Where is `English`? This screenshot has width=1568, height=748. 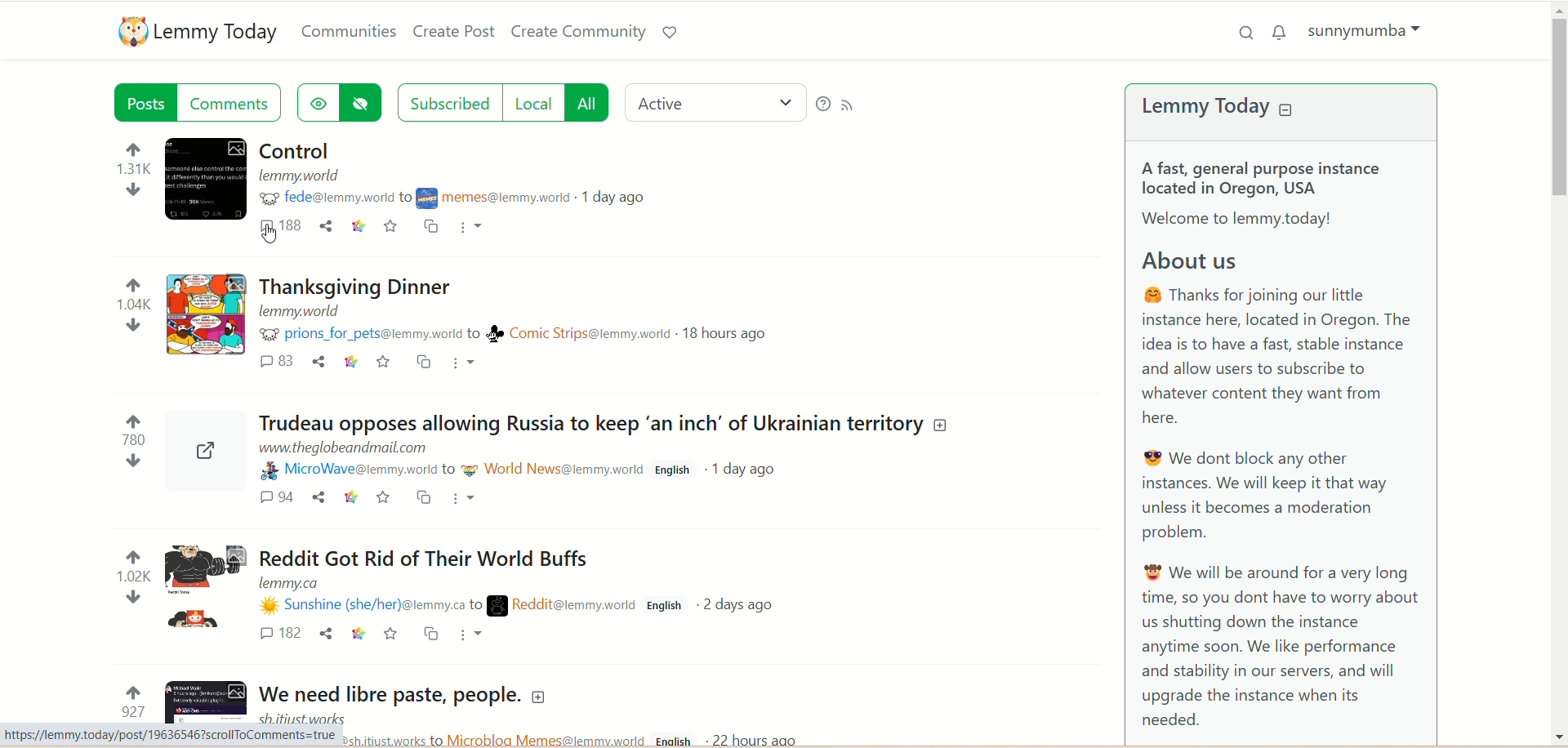
English is located at coordinates (674, 740).